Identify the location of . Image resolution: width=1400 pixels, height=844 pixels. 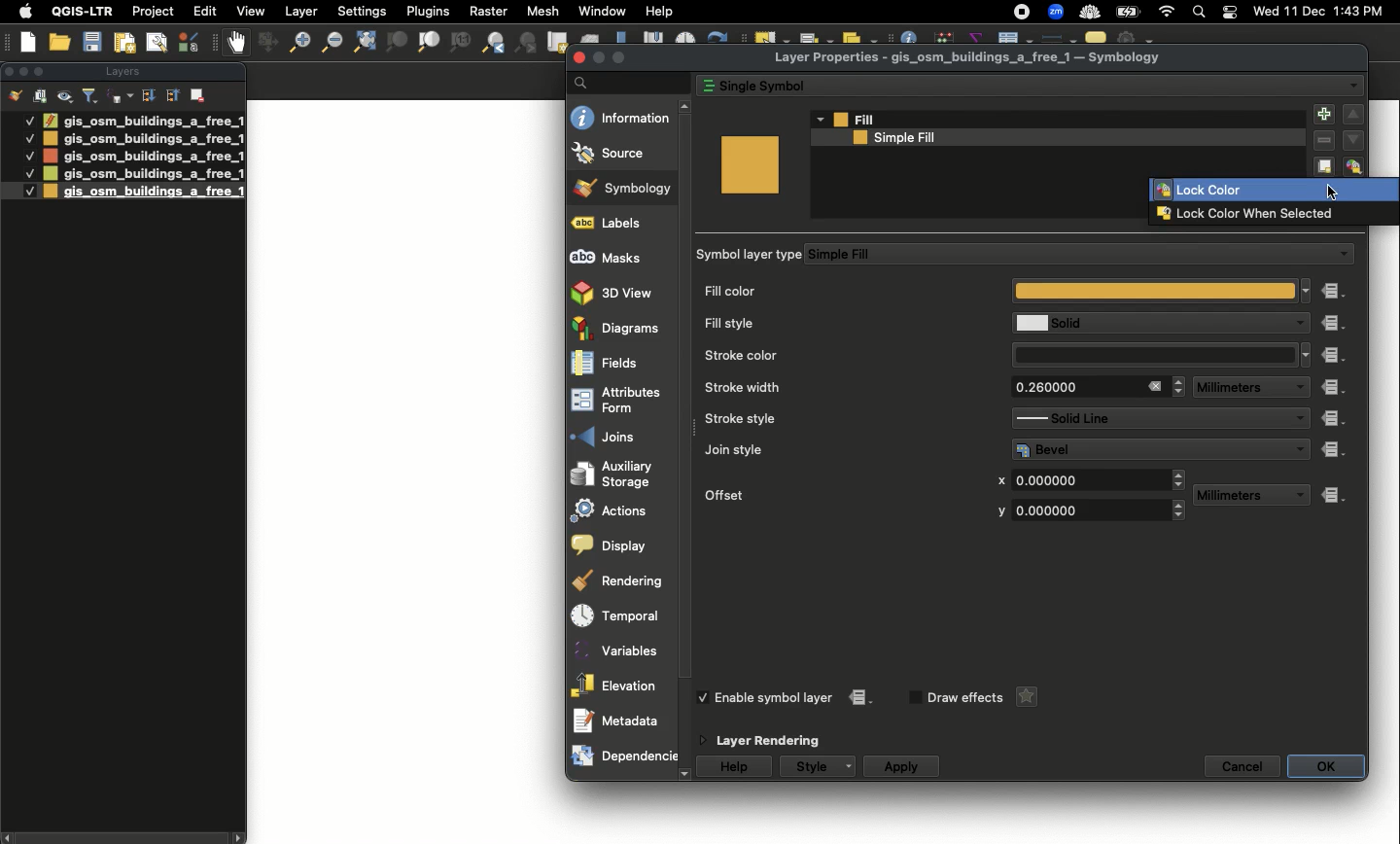
(1335, 494).